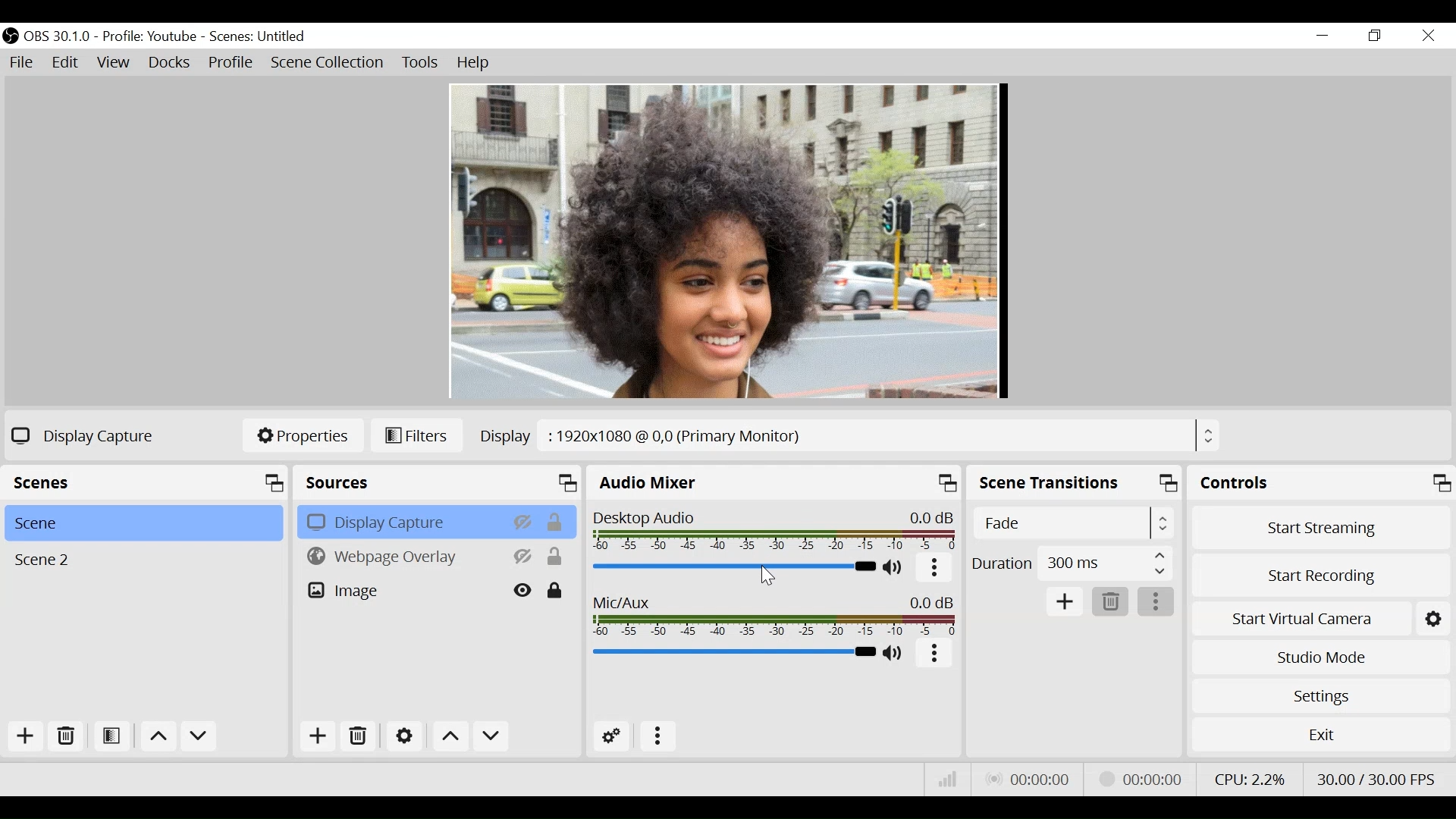 Image resolution: width=1456 pixels, height=819 pixels. Describe the element at coordinates (67, 738) in the screenshot. I see `Delete` at that location.